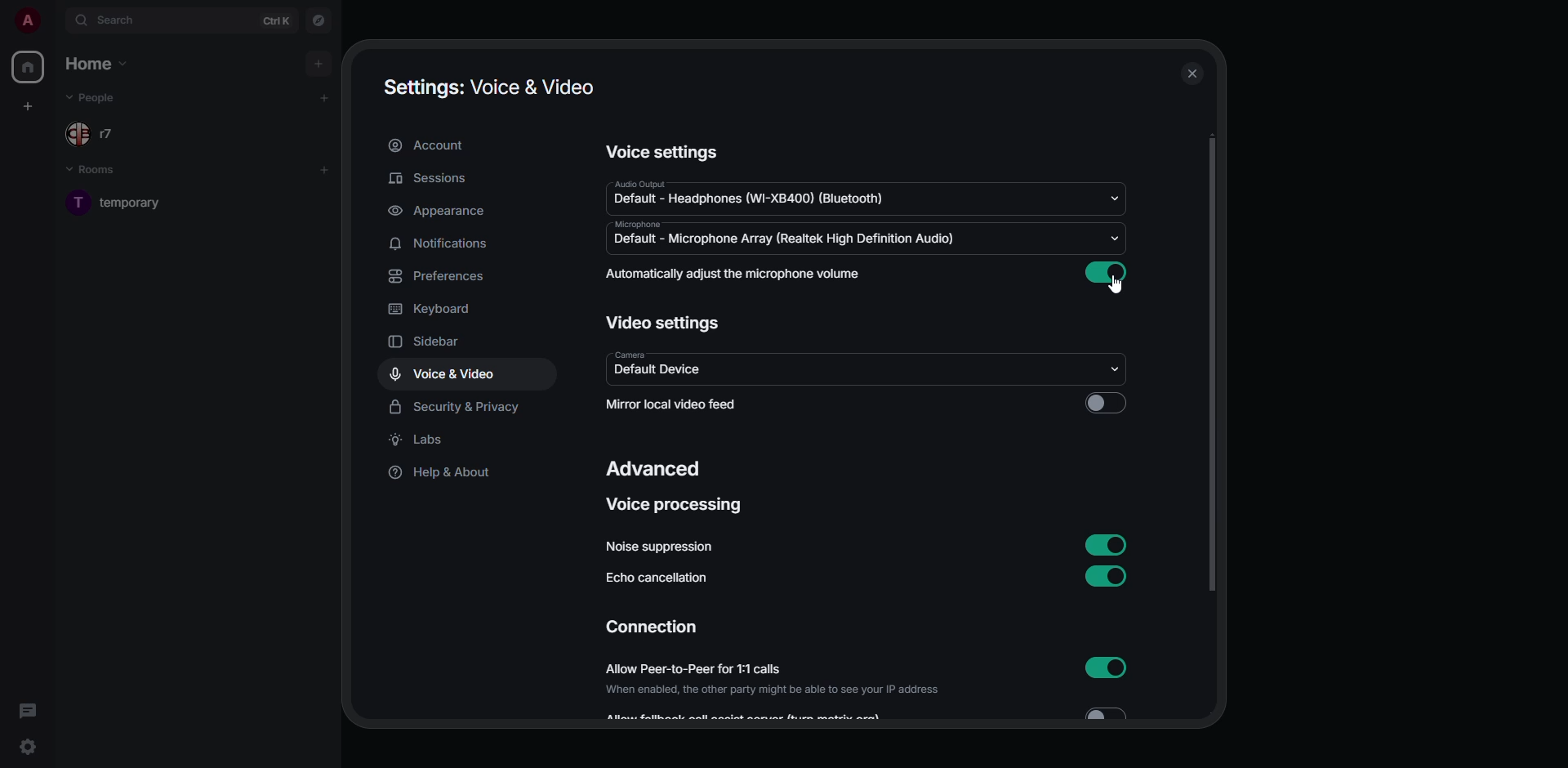 Image resolution: width=1568 pixels, height=768 pixels. Describe the element at coordinates (430, 178) in the screenshot. I see `sessions` at that location.